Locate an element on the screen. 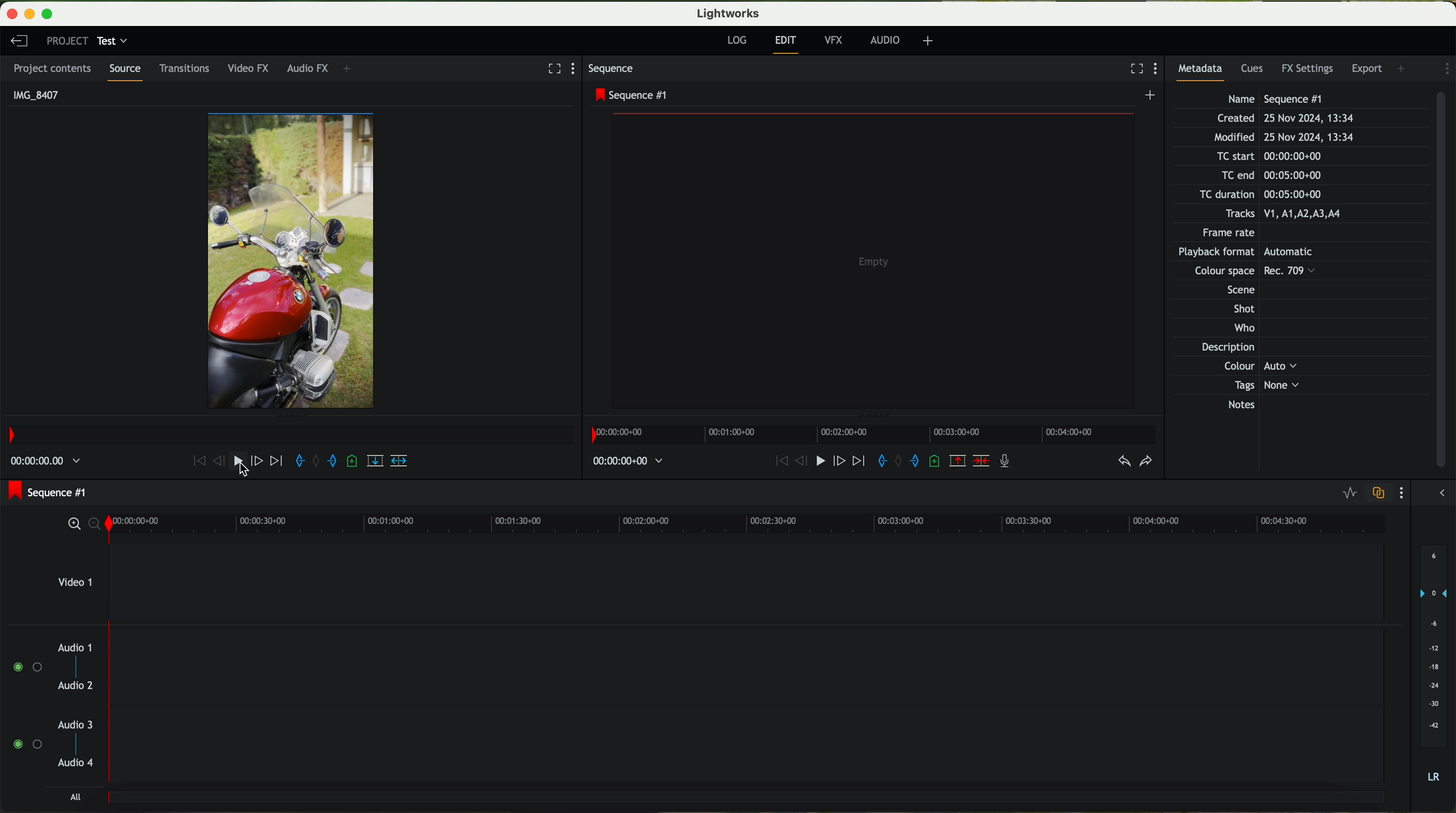 The width and height of the screenshot is (1456, 813). source is located at coordinates (128, 72).